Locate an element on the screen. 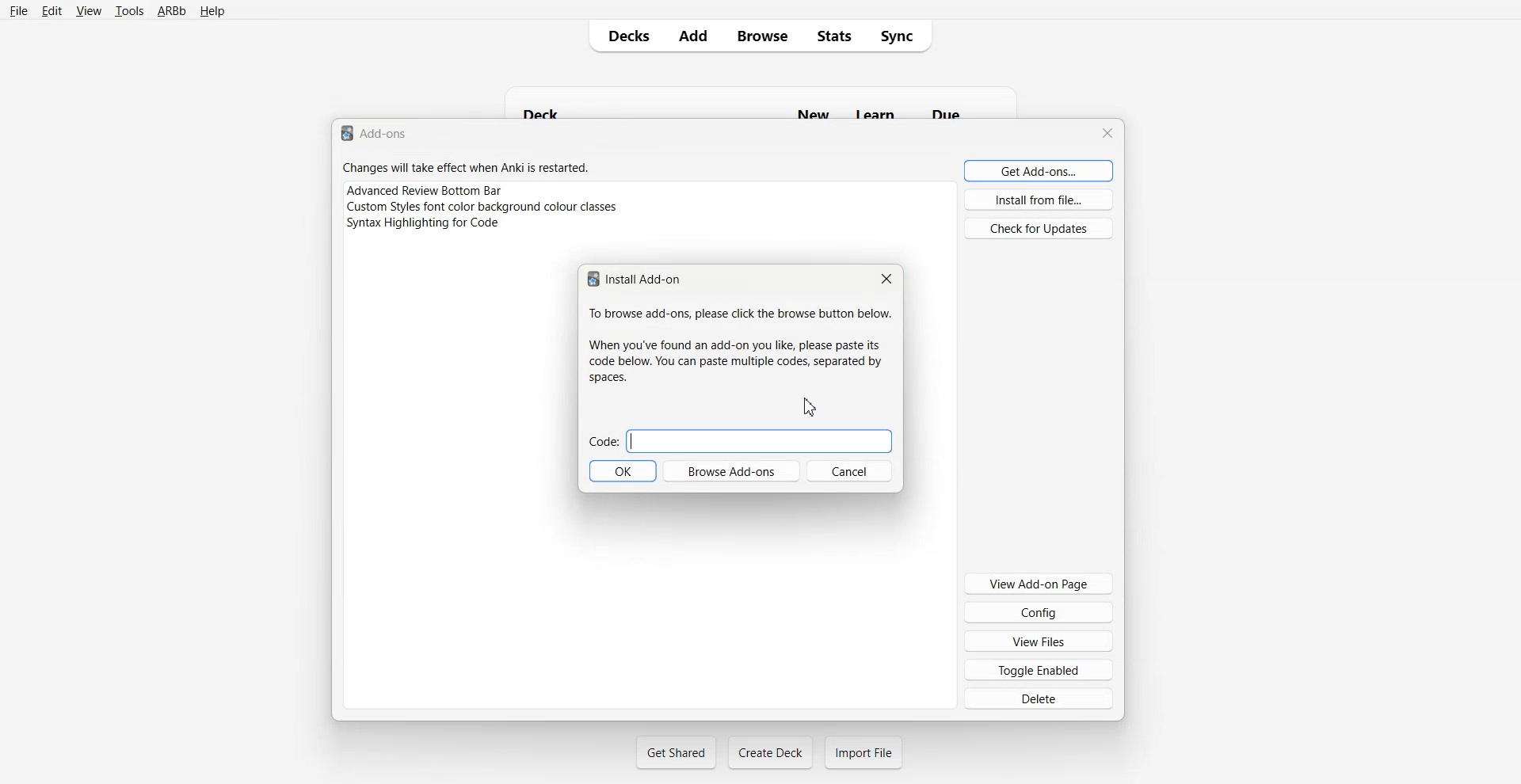 The image size is (1521, 784). Edit is located at coordinates (52, 10).